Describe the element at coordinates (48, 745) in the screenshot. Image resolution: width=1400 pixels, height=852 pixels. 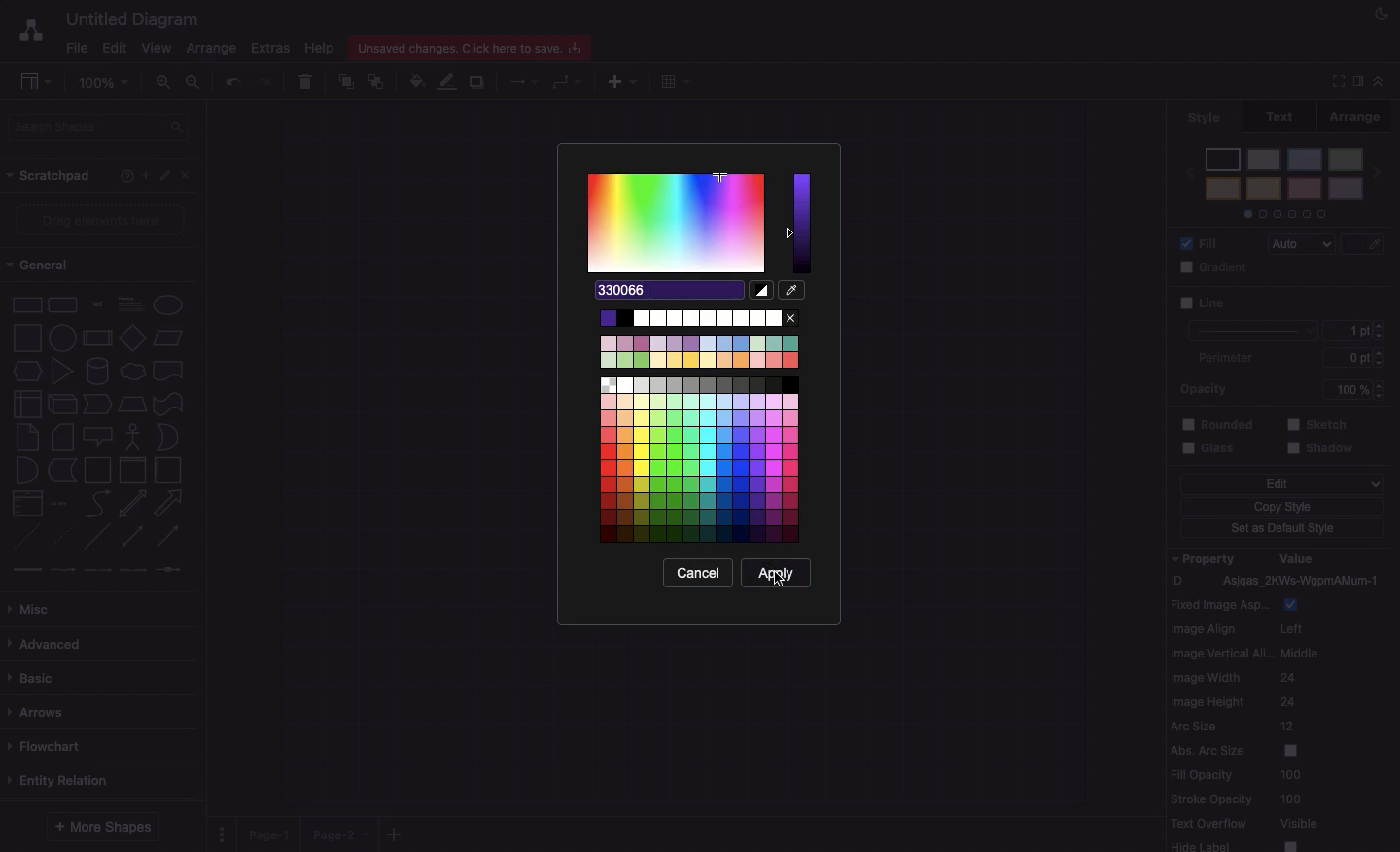
I see `Flowchart` at that location.